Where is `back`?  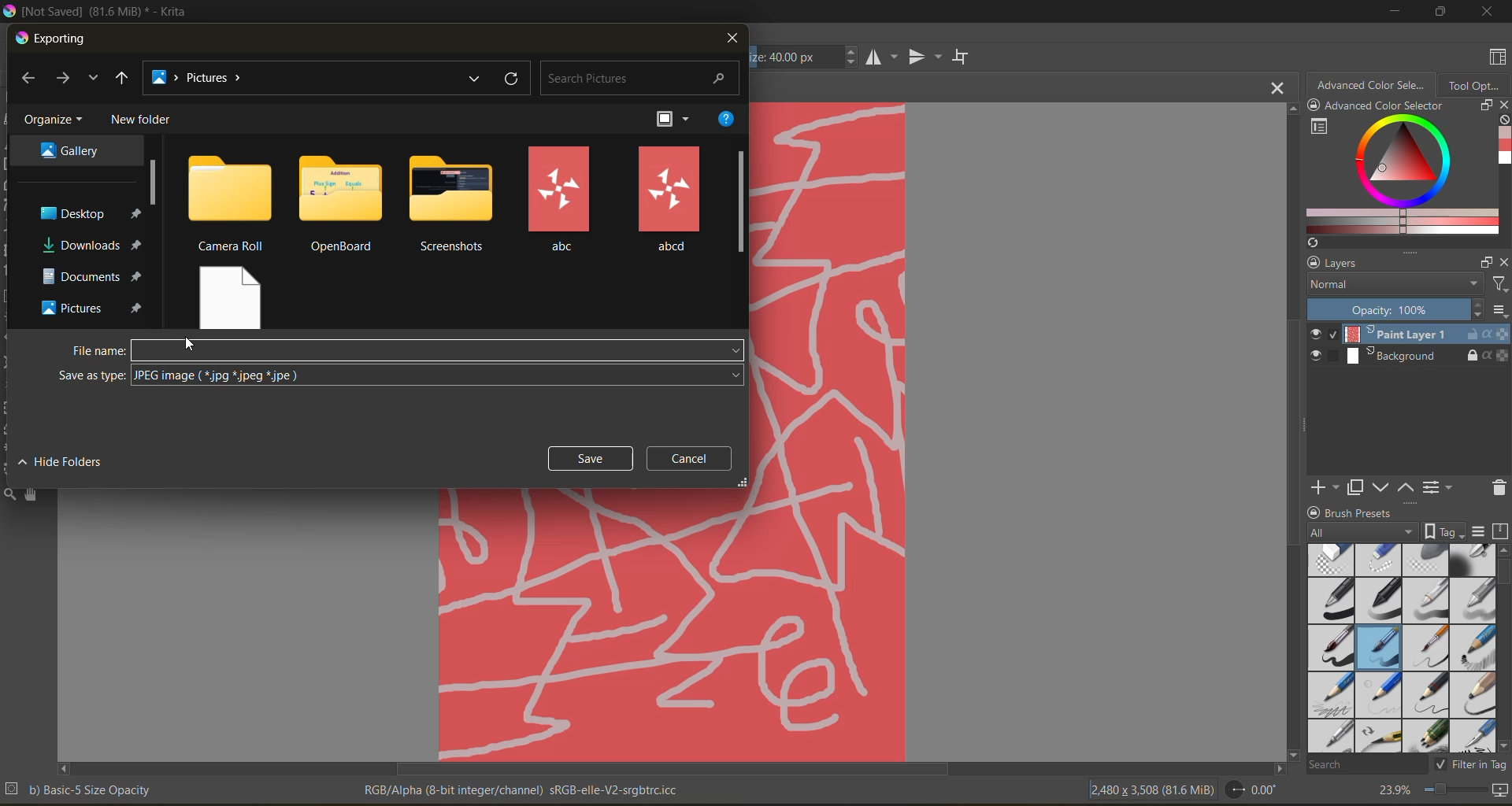 back is located at coordinates (28, 78).